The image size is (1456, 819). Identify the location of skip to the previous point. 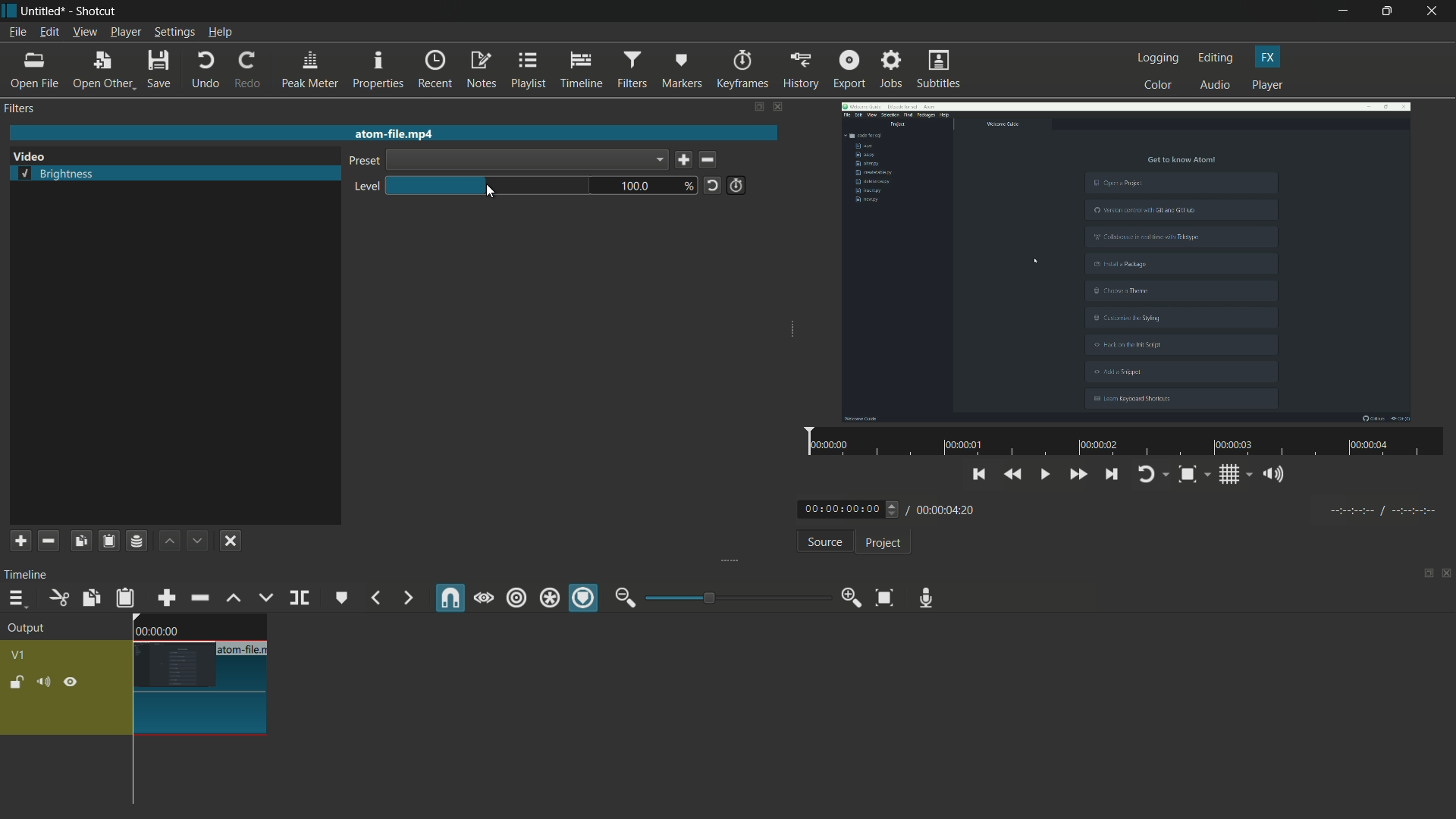
(979, 472).